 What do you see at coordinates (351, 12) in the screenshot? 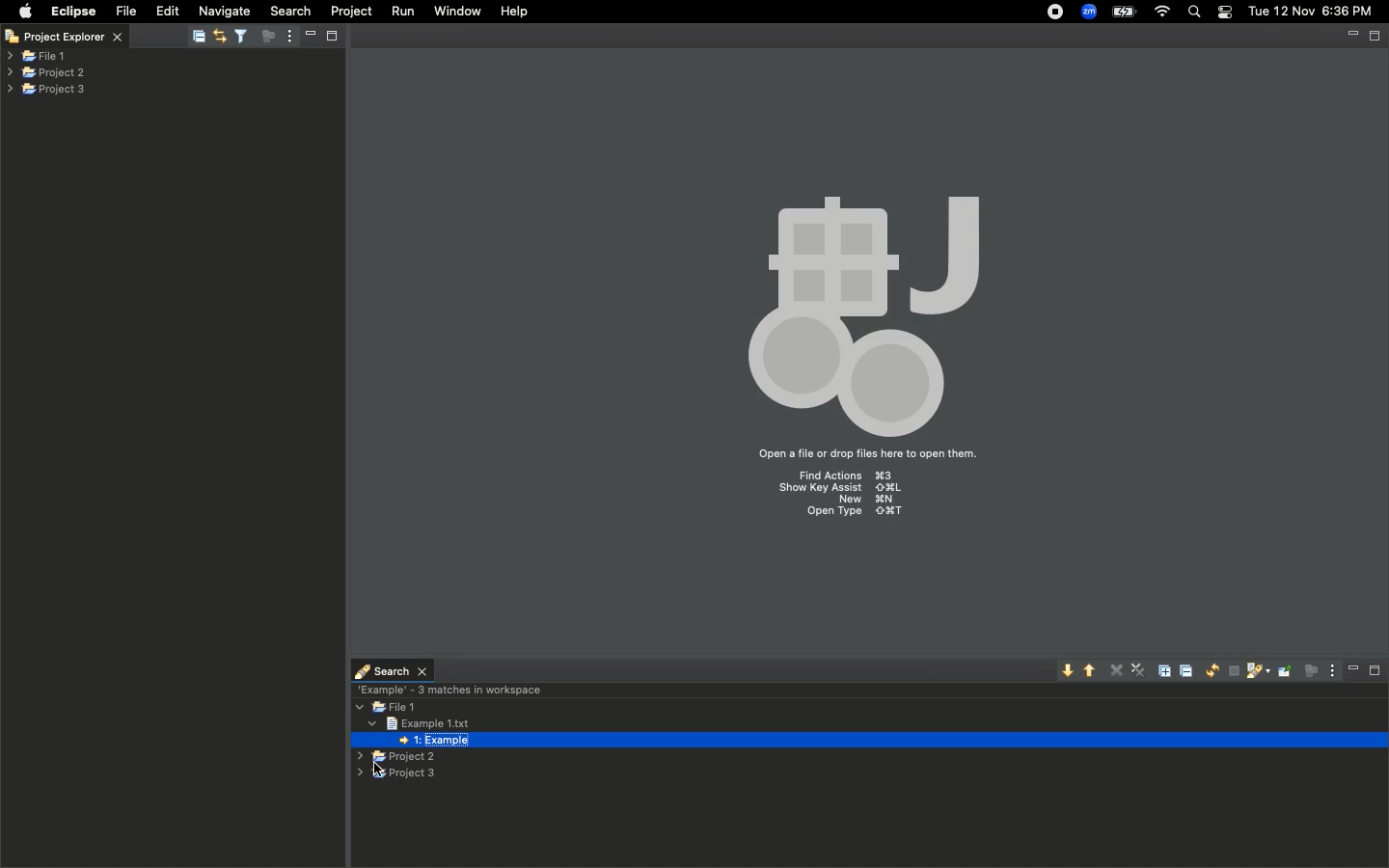
I see `Project` at bounding box center [351, 12].